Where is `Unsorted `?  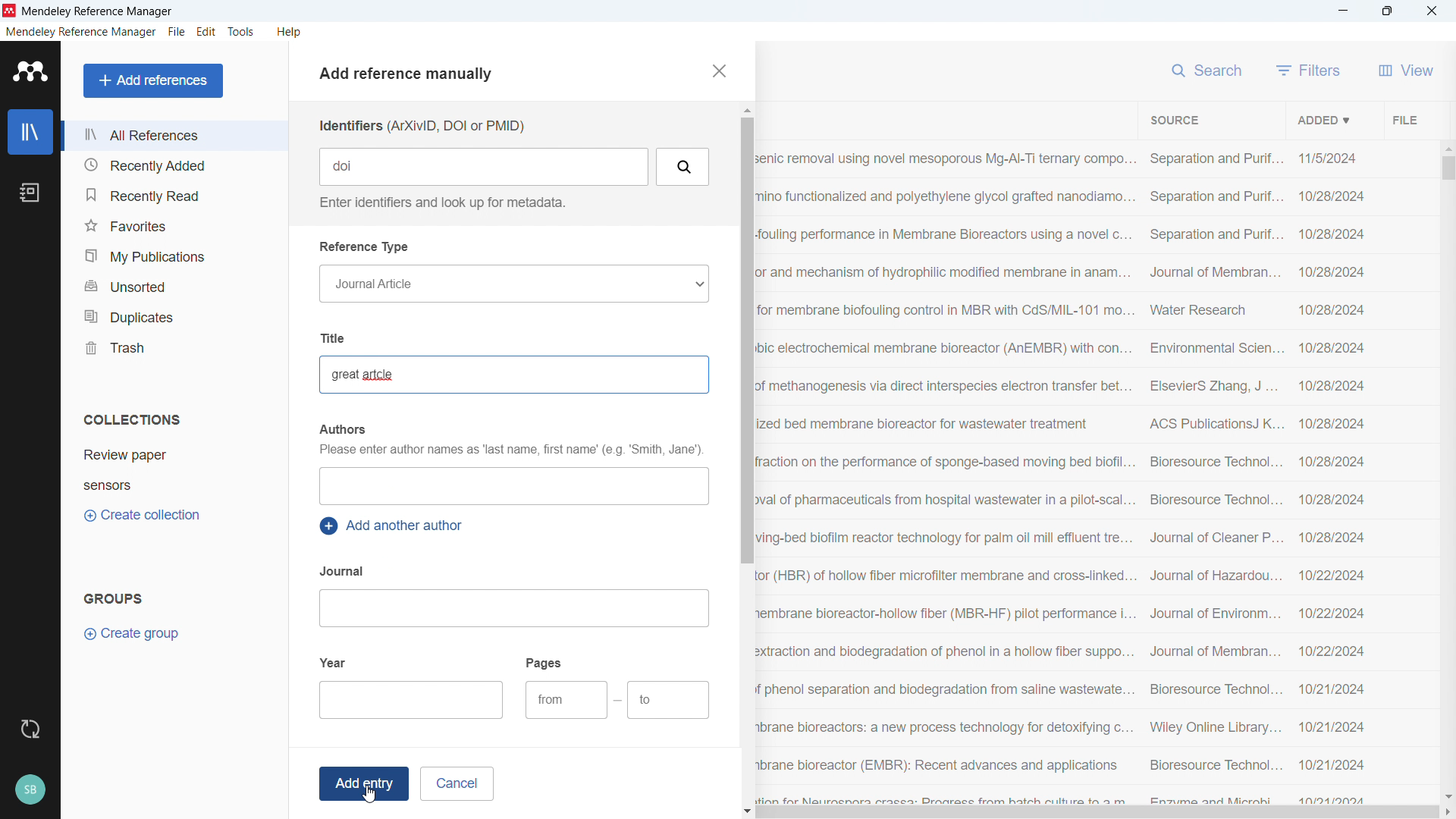 Unsorted  is located at coordinates (174, 284).